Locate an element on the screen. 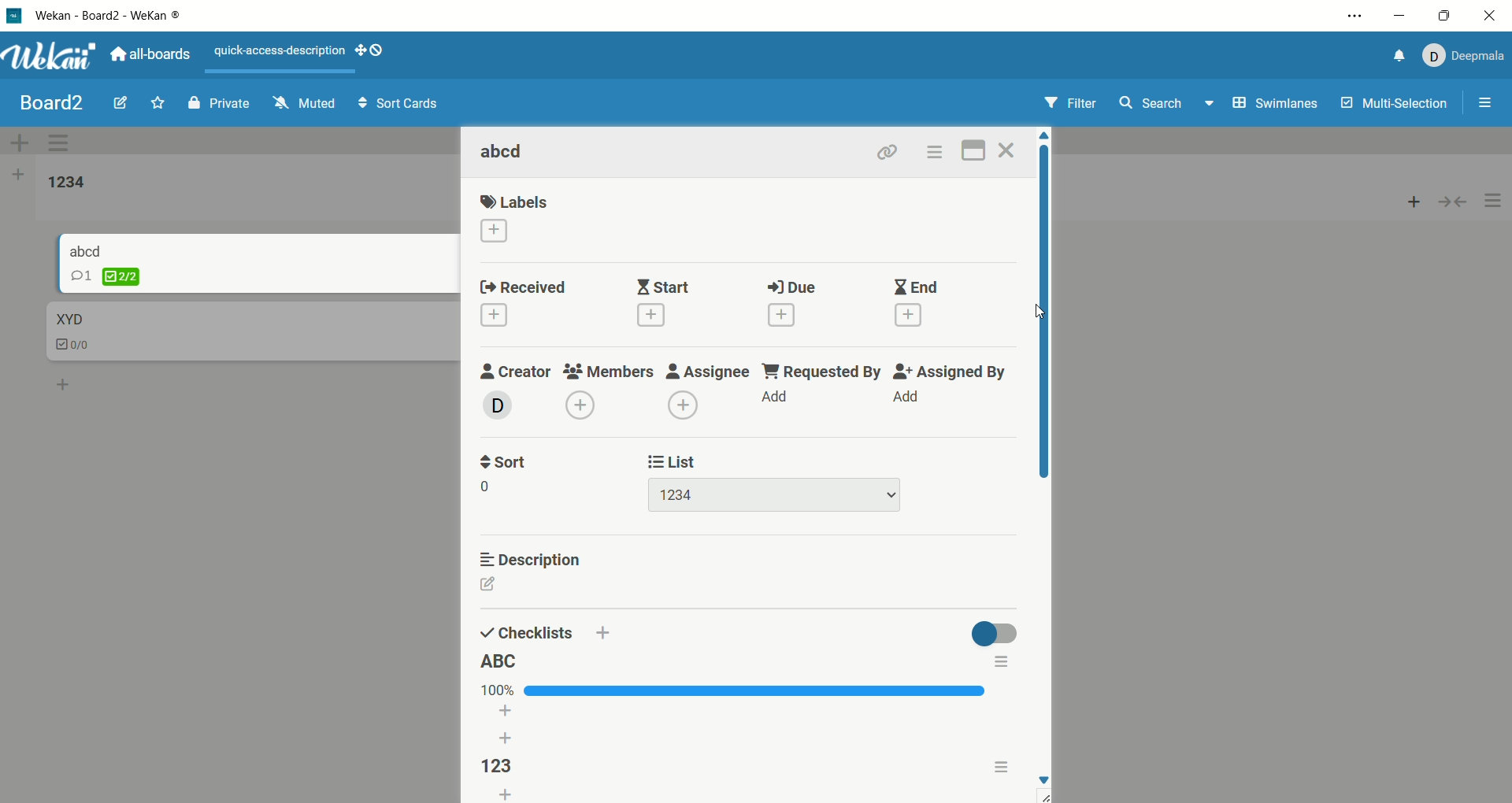  due is located at coordinates (793, 287).